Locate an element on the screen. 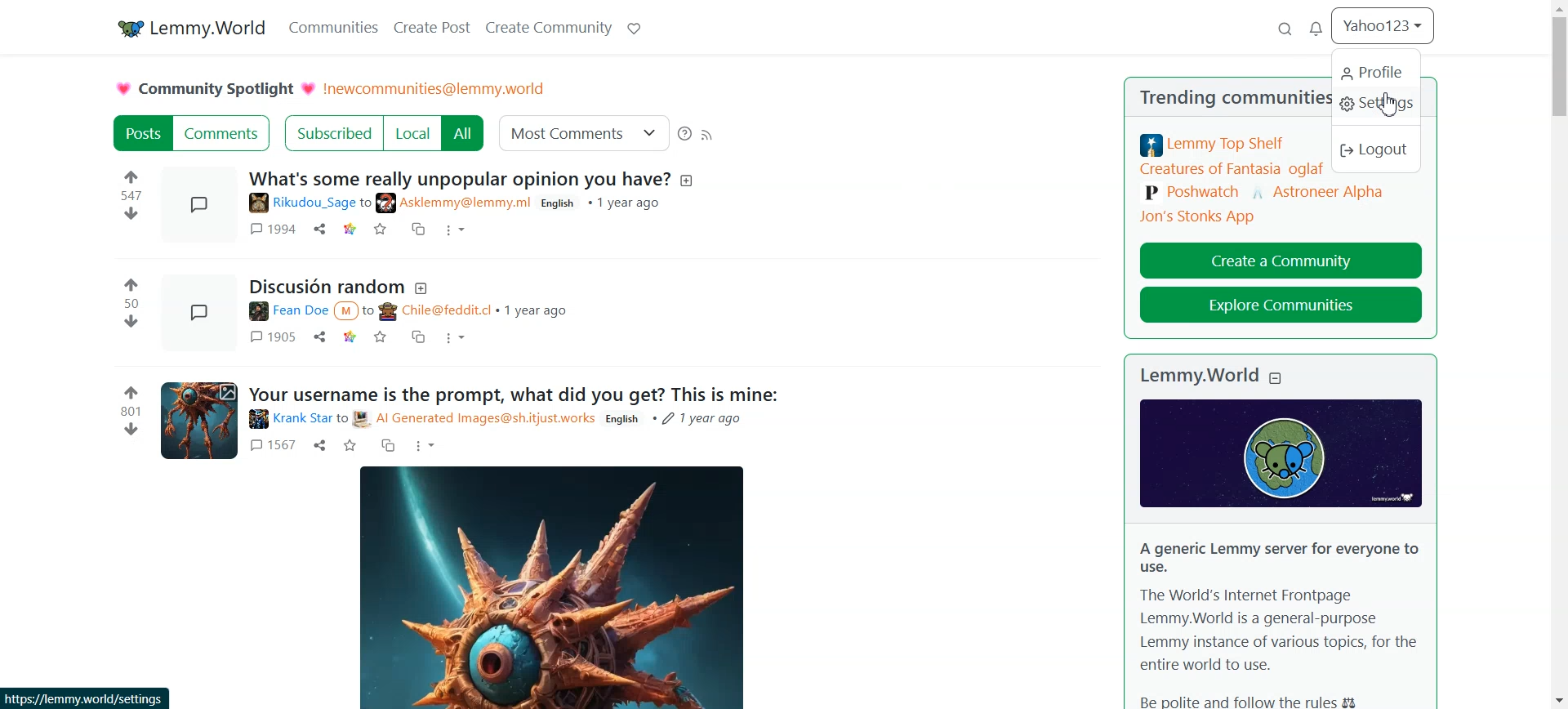 This screenshot has width=1568, height=709. Create Community is located at coordinates (547, 26).